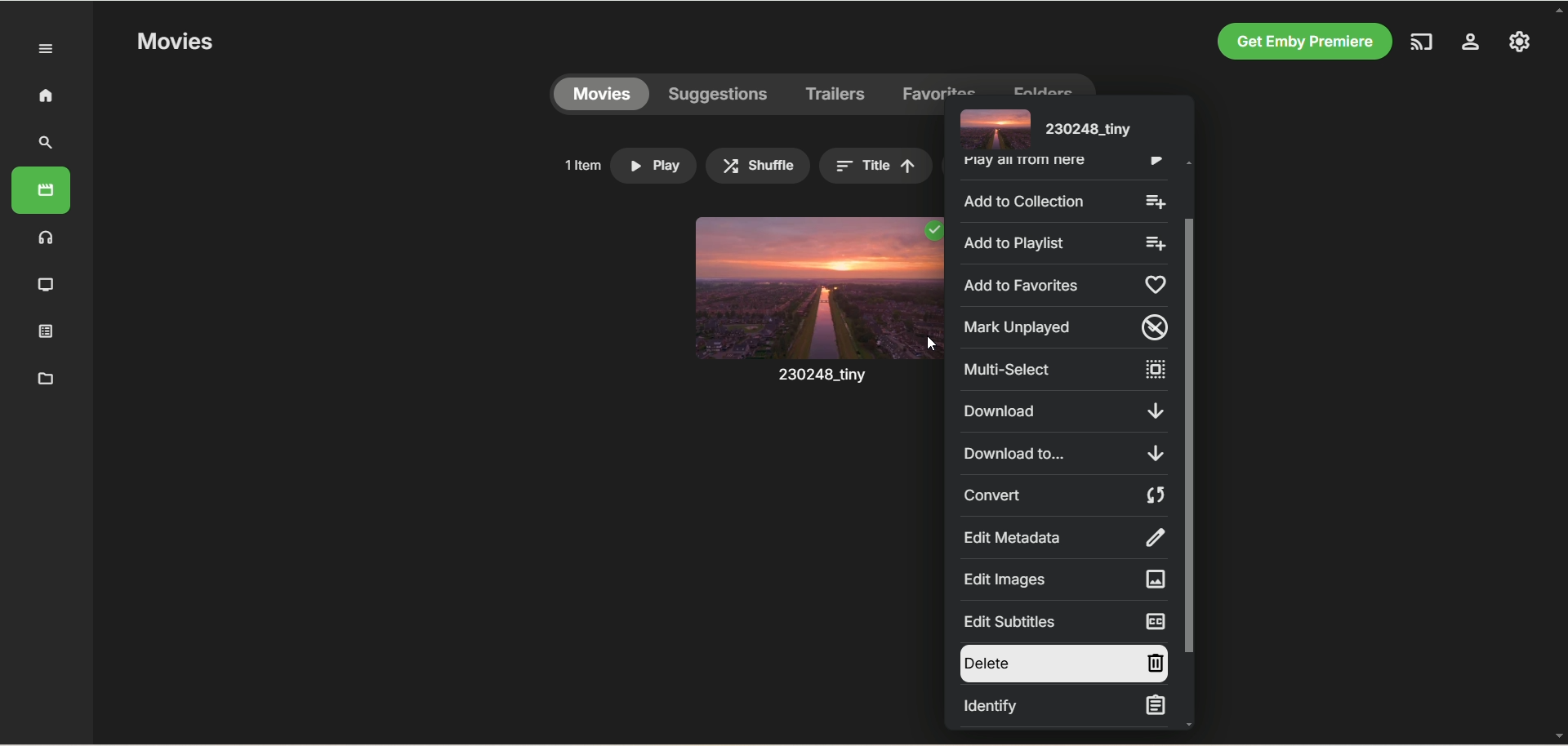 This screenshot has width=1568, height=746. I want to click on convert, so click(1064, 495).